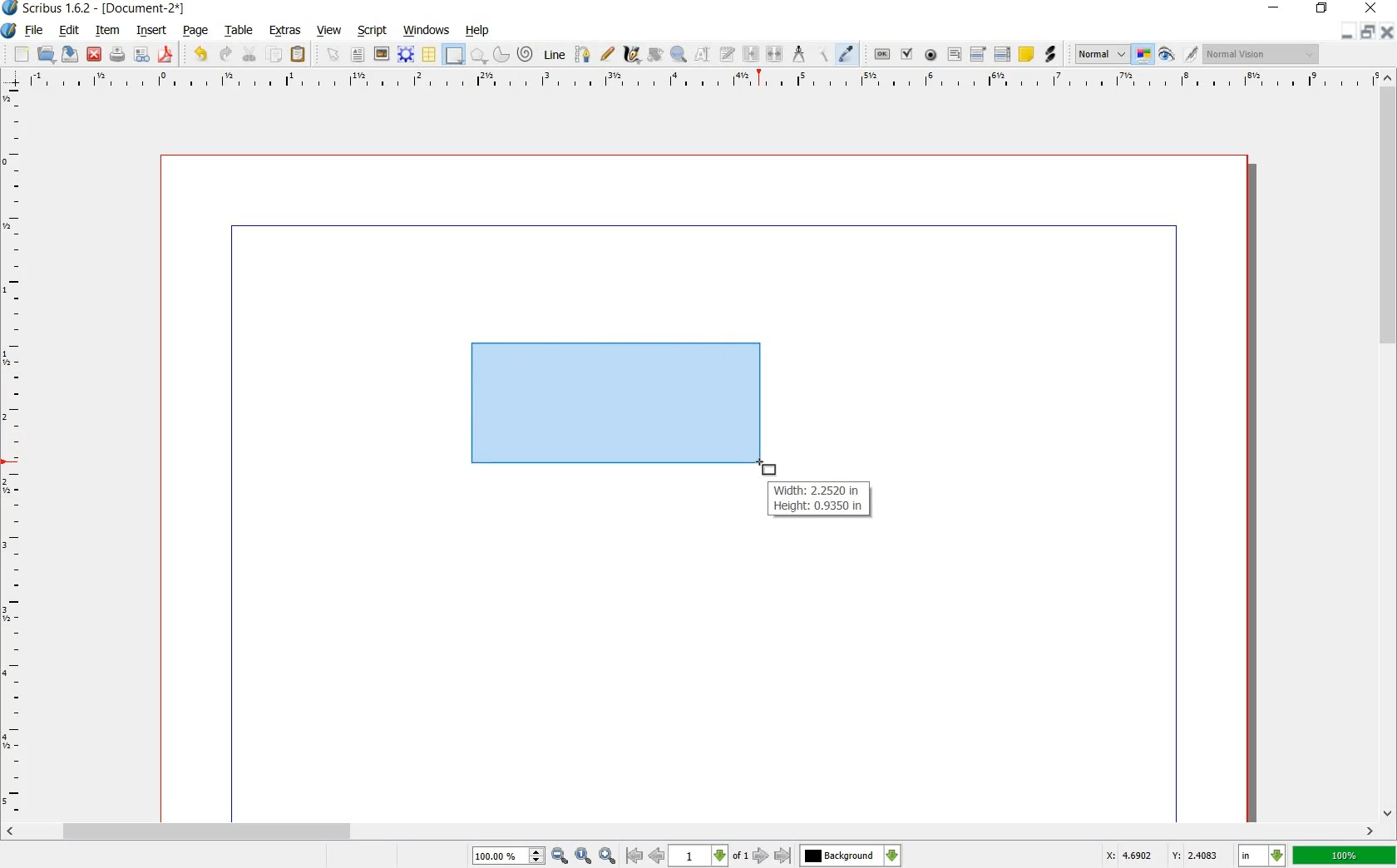 This screenshot has height=868, width=1397. What do you see at coordinates (703, 55) in the screenshot?
I see `EDIT CONTENTS OF FRAME` at bounding box center [703, 55].